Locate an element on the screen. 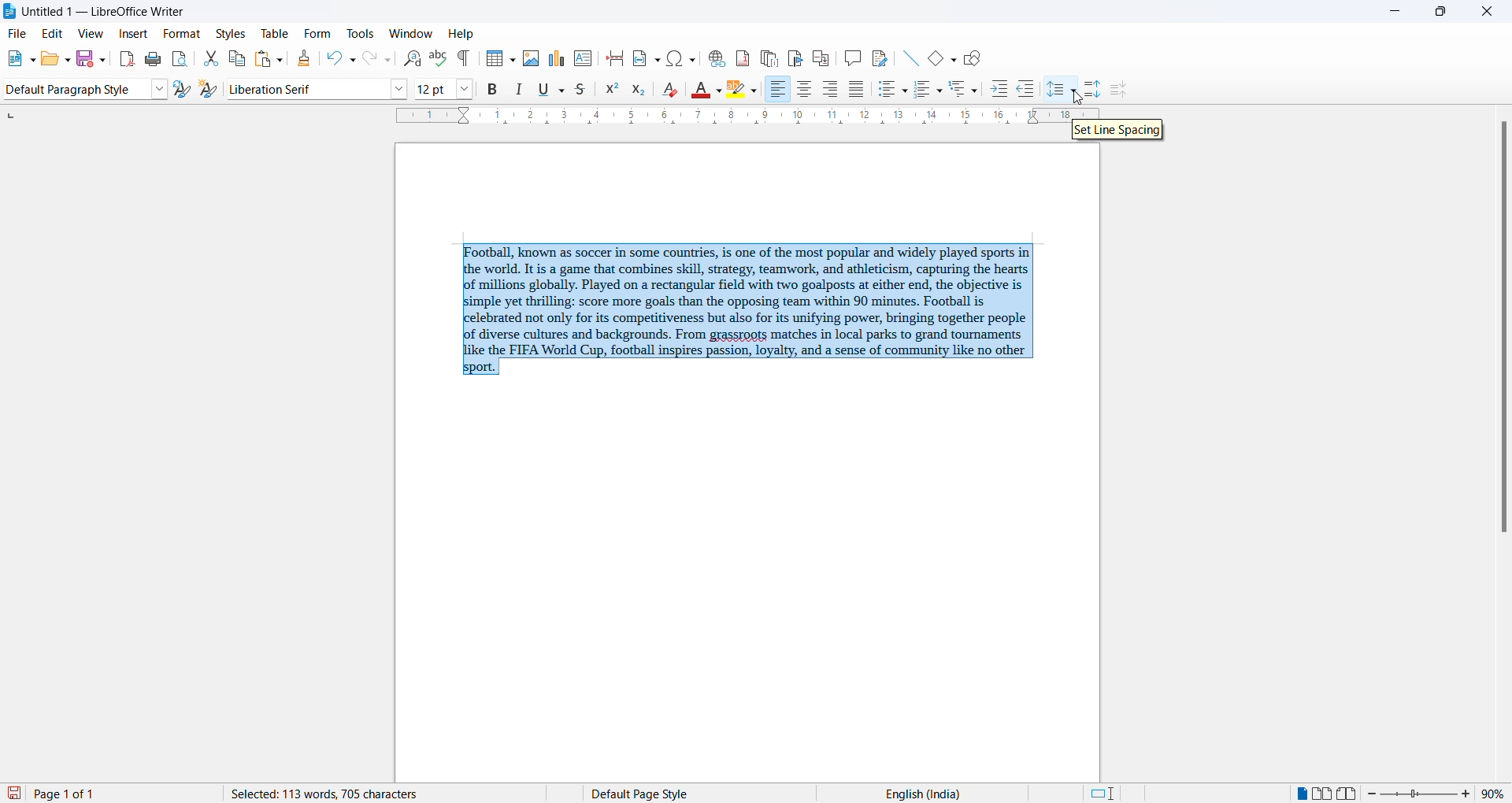 Image resolution: width=1512 pixels, height=803 pixels. form is located at coordinates (315, 33).